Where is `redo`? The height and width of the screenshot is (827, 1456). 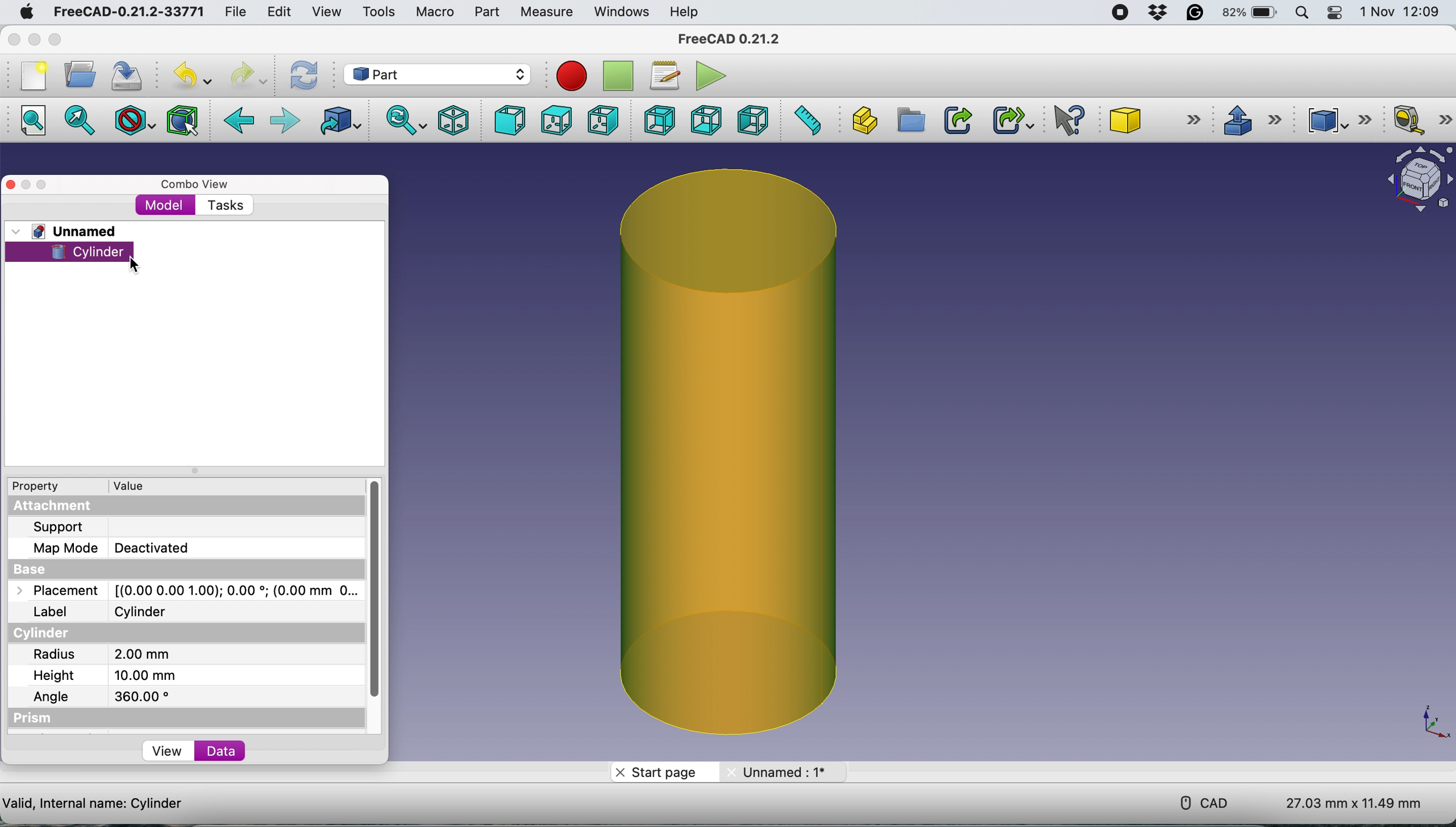
redo is located at coordinates (252, 75).